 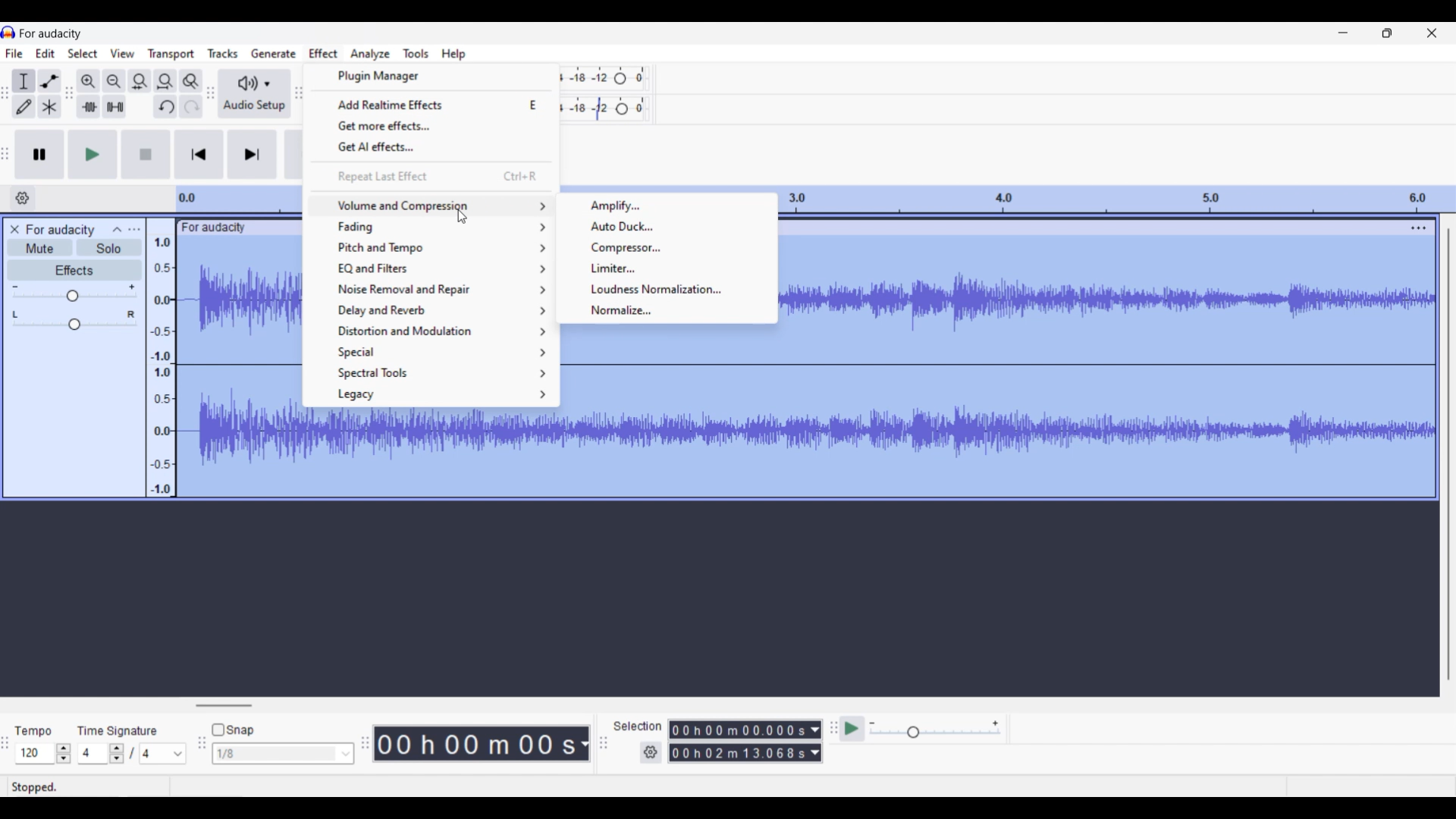 I want to click on Volume and compression, so click(x=429, y=206).